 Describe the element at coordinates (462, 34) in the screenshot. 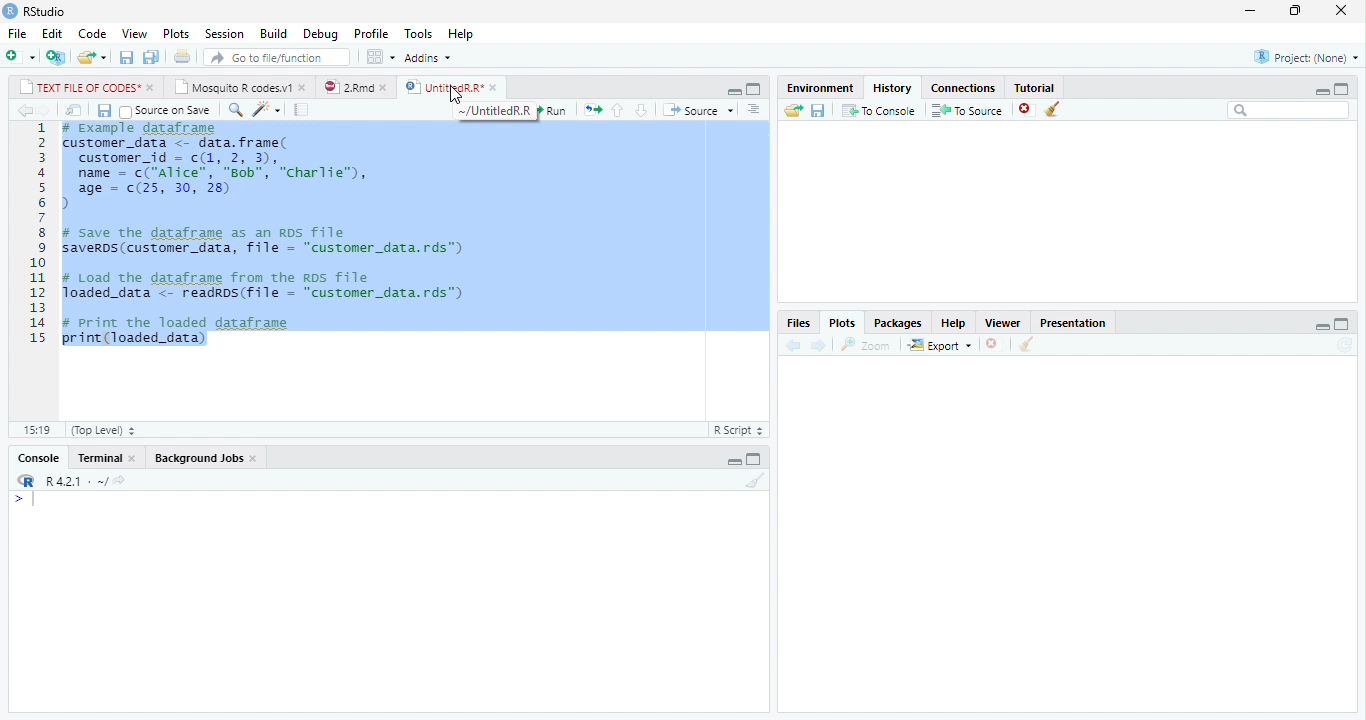

I see `Help` at that location.